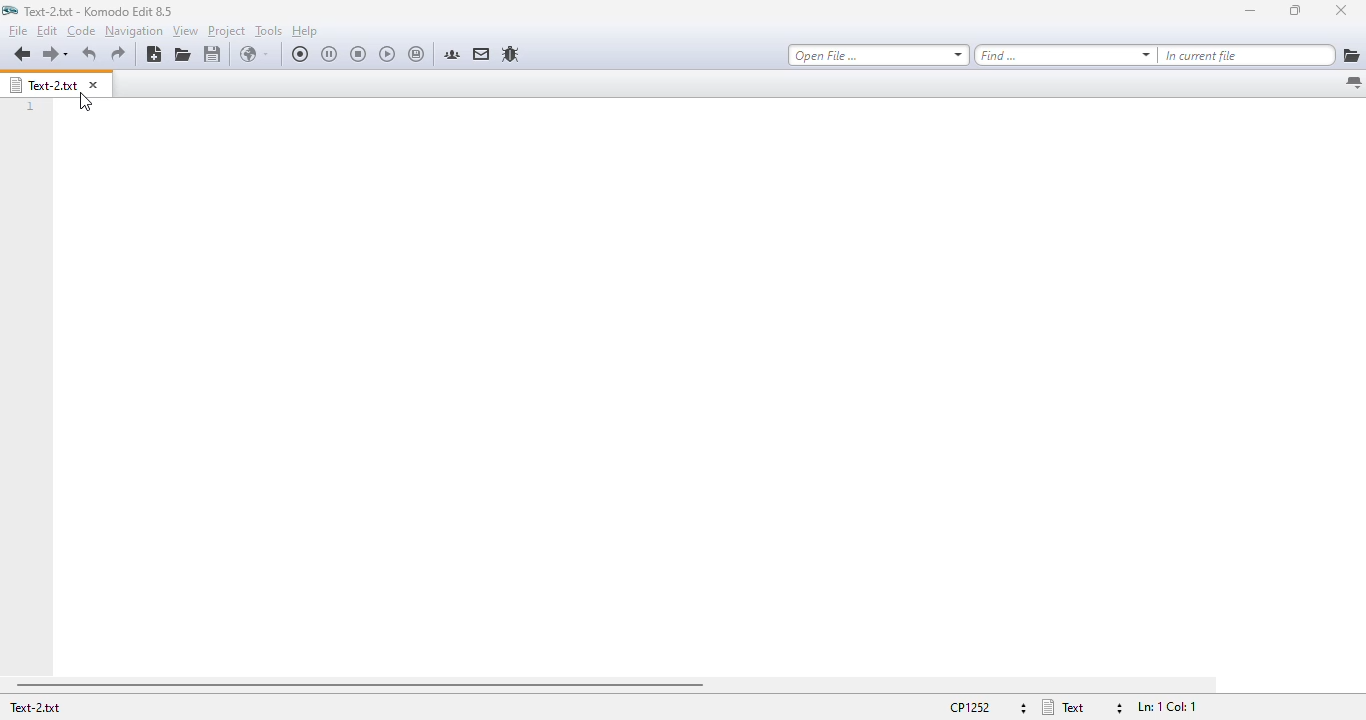 The height and width of the screenshot is (720, 1366). What do you see at coordinates (90, 54) in the screenshot?
I see `undo last action` at bounding box center [90, 54].